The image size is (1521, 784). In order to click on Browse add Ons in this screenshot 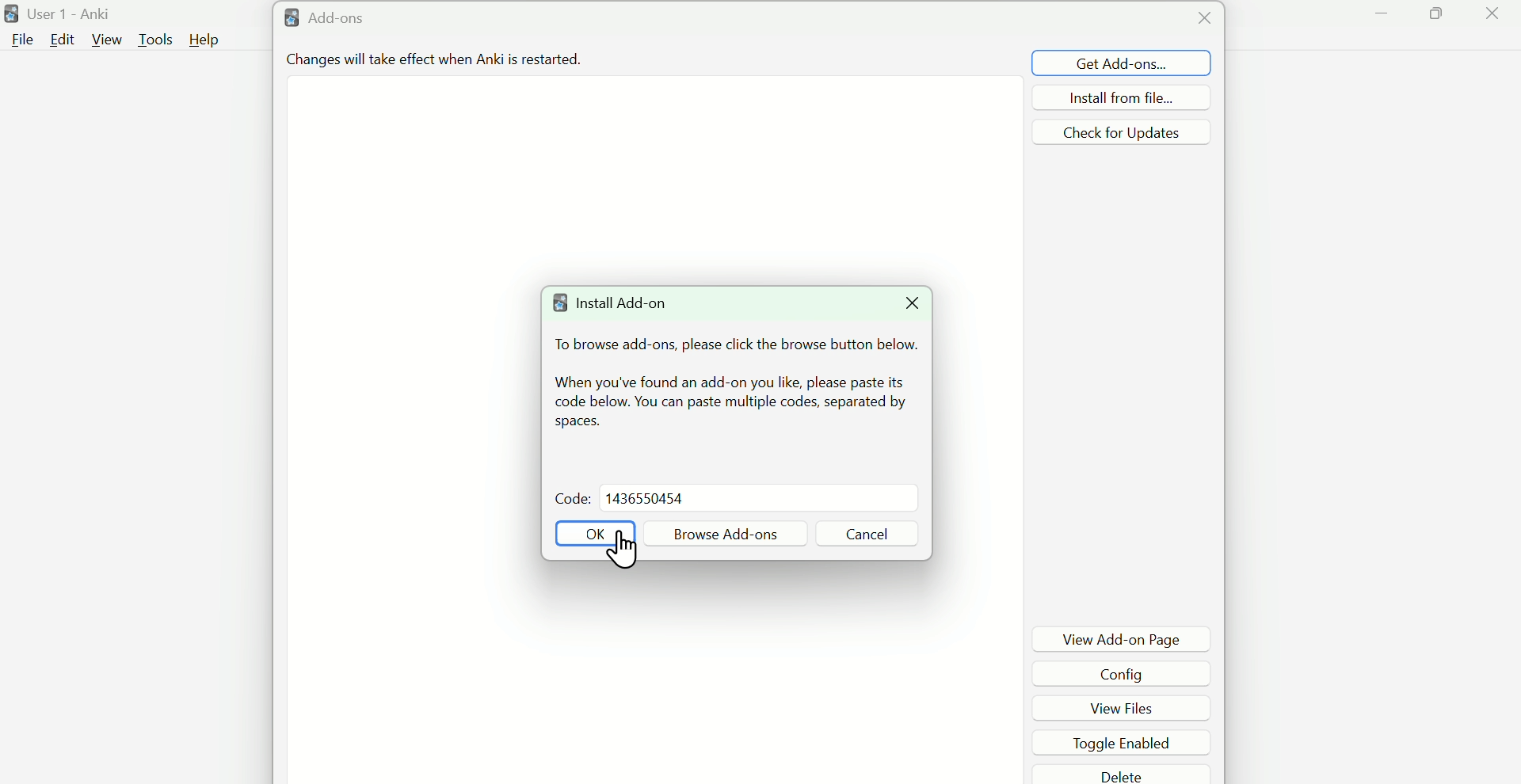, I will do `click(726, 533)`.